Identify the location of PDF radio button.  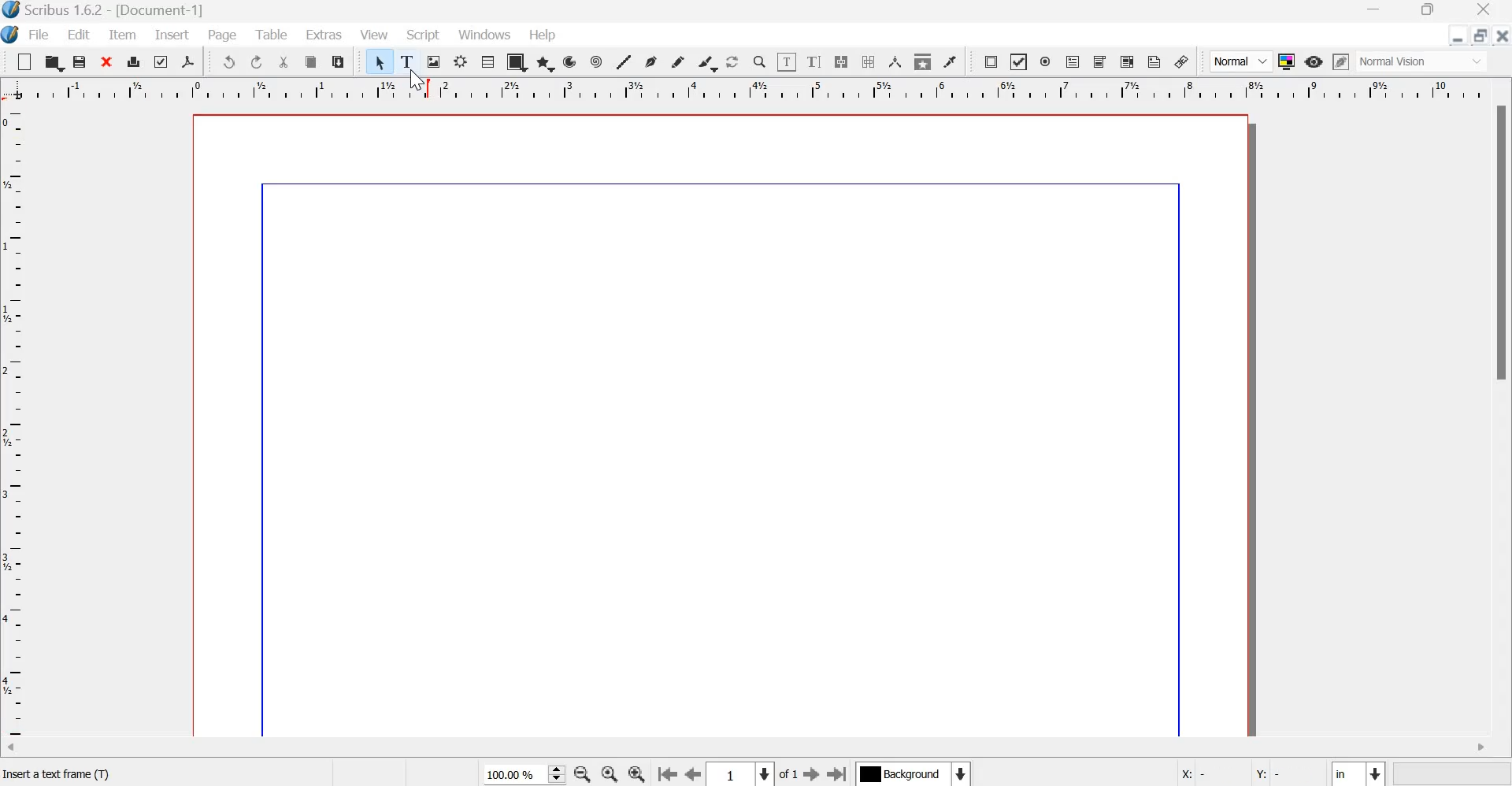
(1046, 62).